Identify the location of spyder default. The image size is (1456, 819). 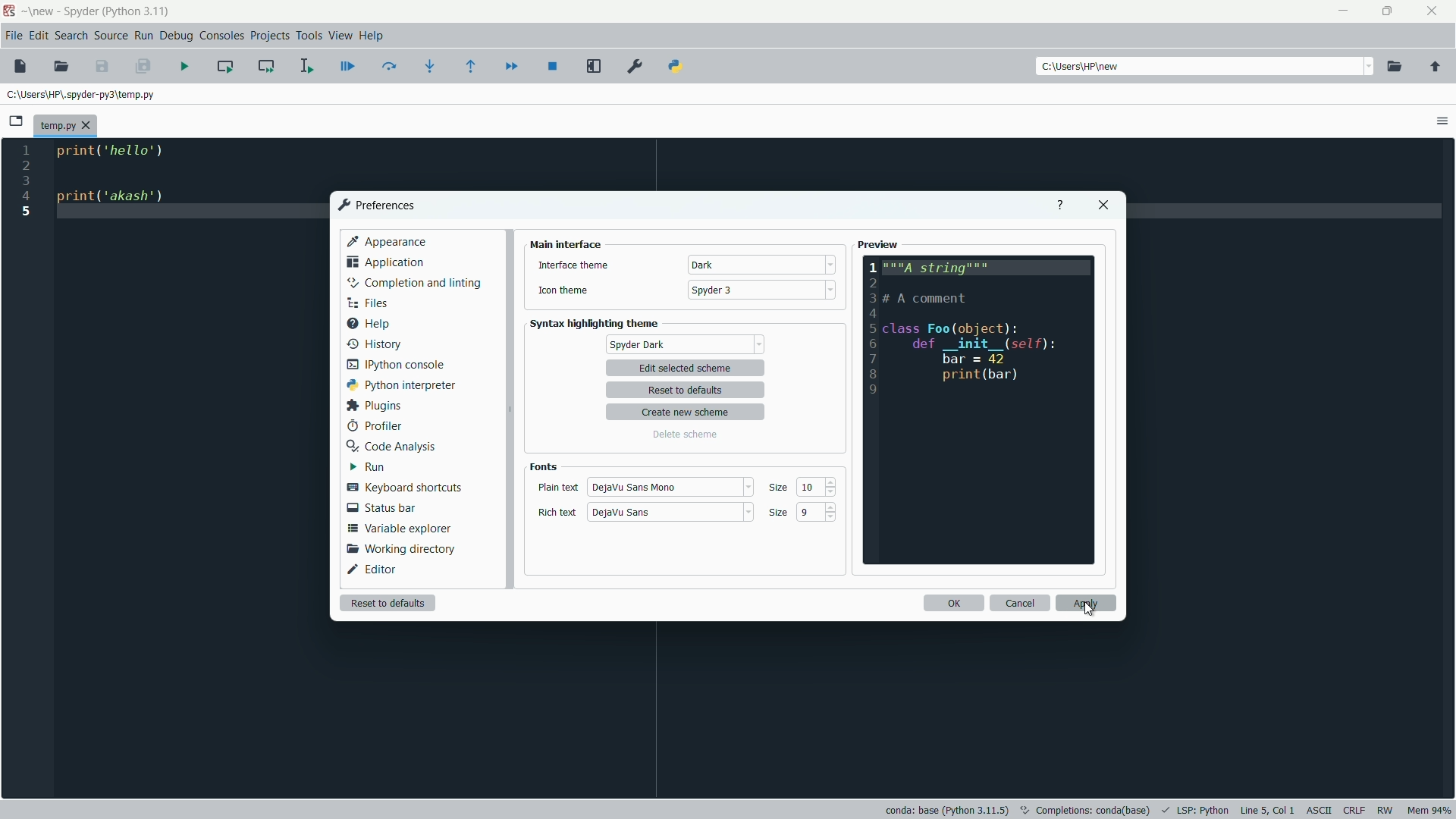
(685, 344).